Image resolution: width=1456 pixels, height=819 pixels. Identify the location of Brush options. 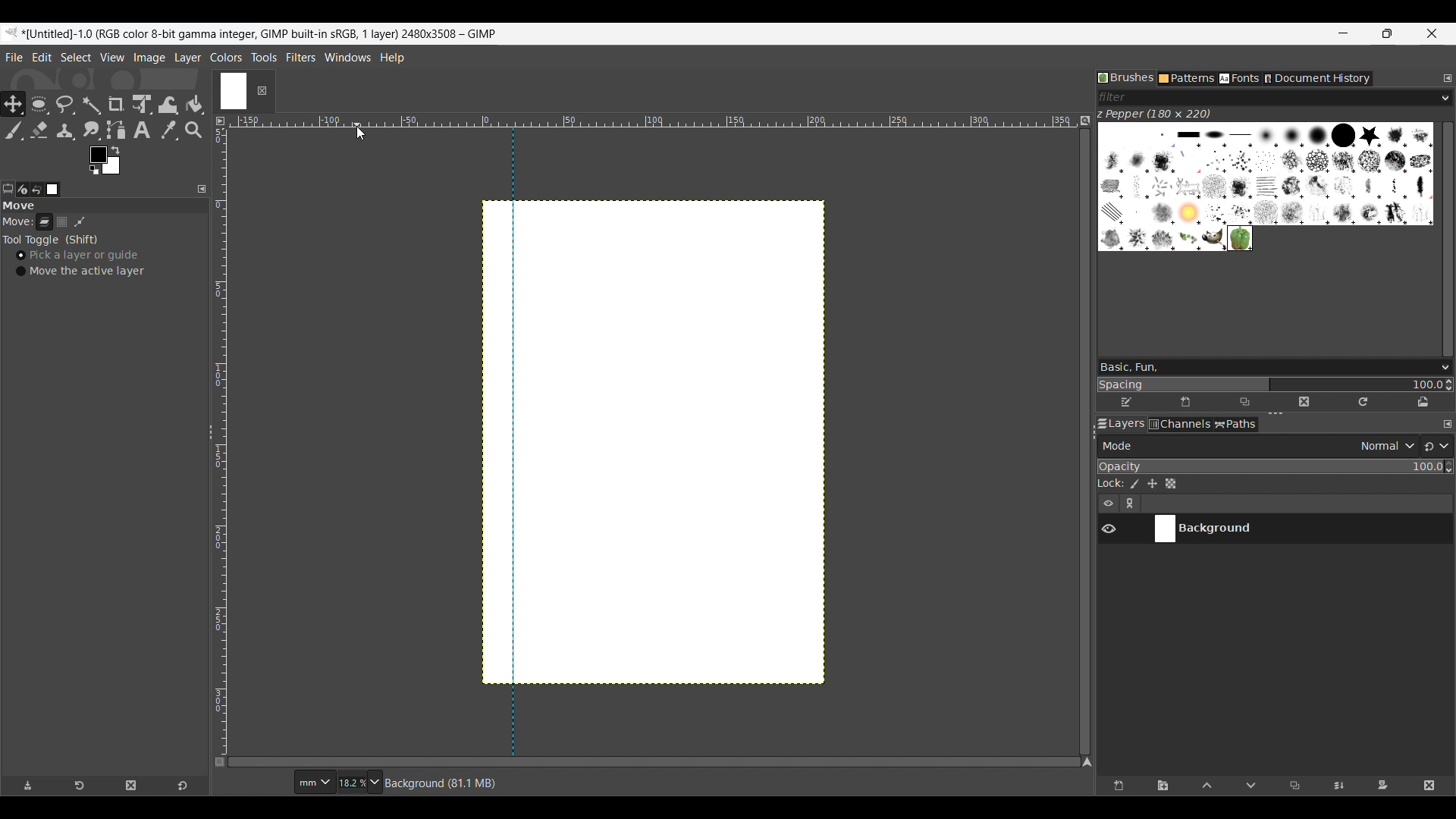
(1442, 369).